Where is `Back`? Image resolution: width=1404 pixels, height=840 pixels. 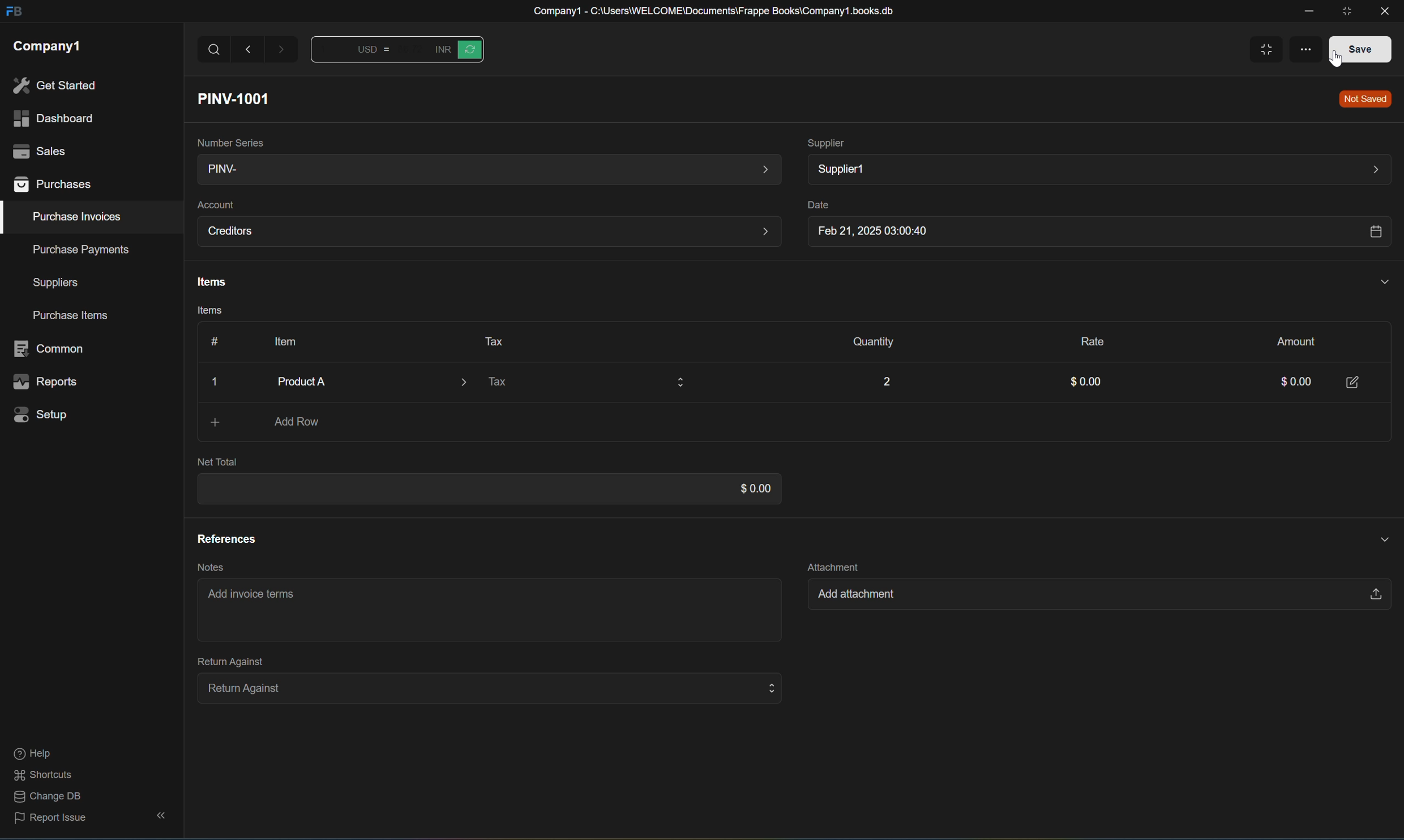 Back is located at coordinates (250, 49).